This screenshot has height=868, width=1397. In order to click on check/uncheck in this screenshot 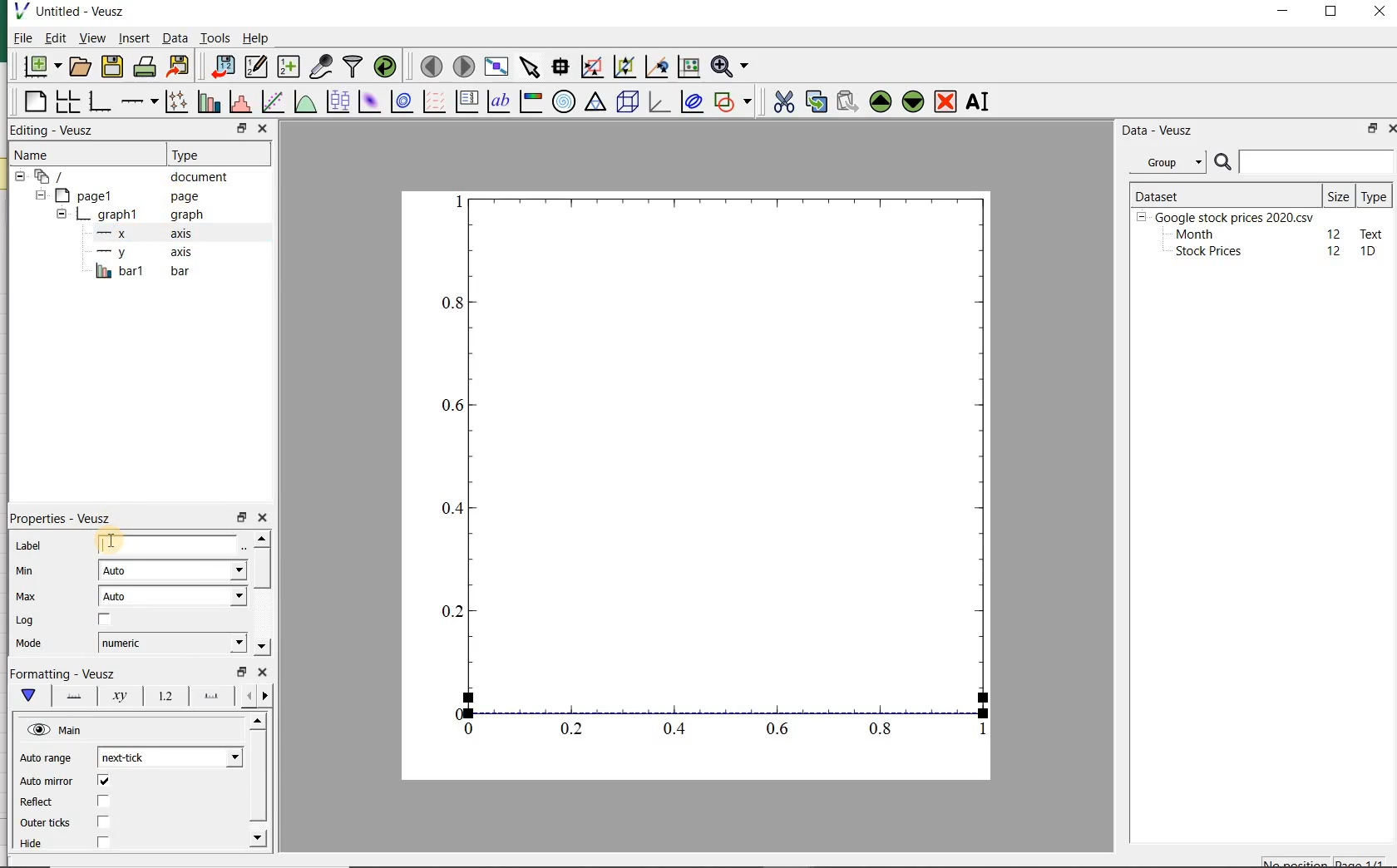, I will do `click(103, 821)`.